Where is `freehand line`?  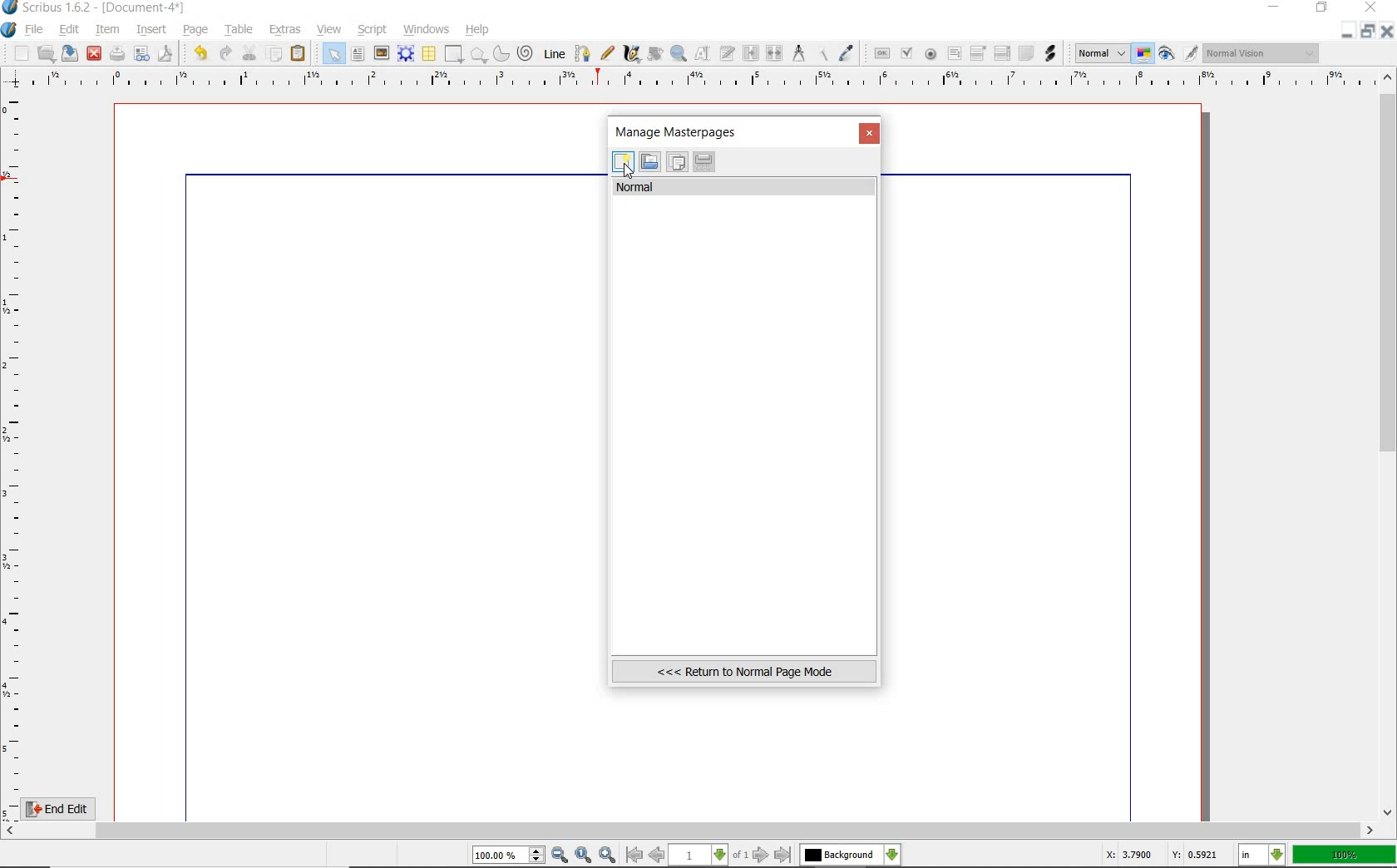
freehand line is located at coordinates (605, 54).